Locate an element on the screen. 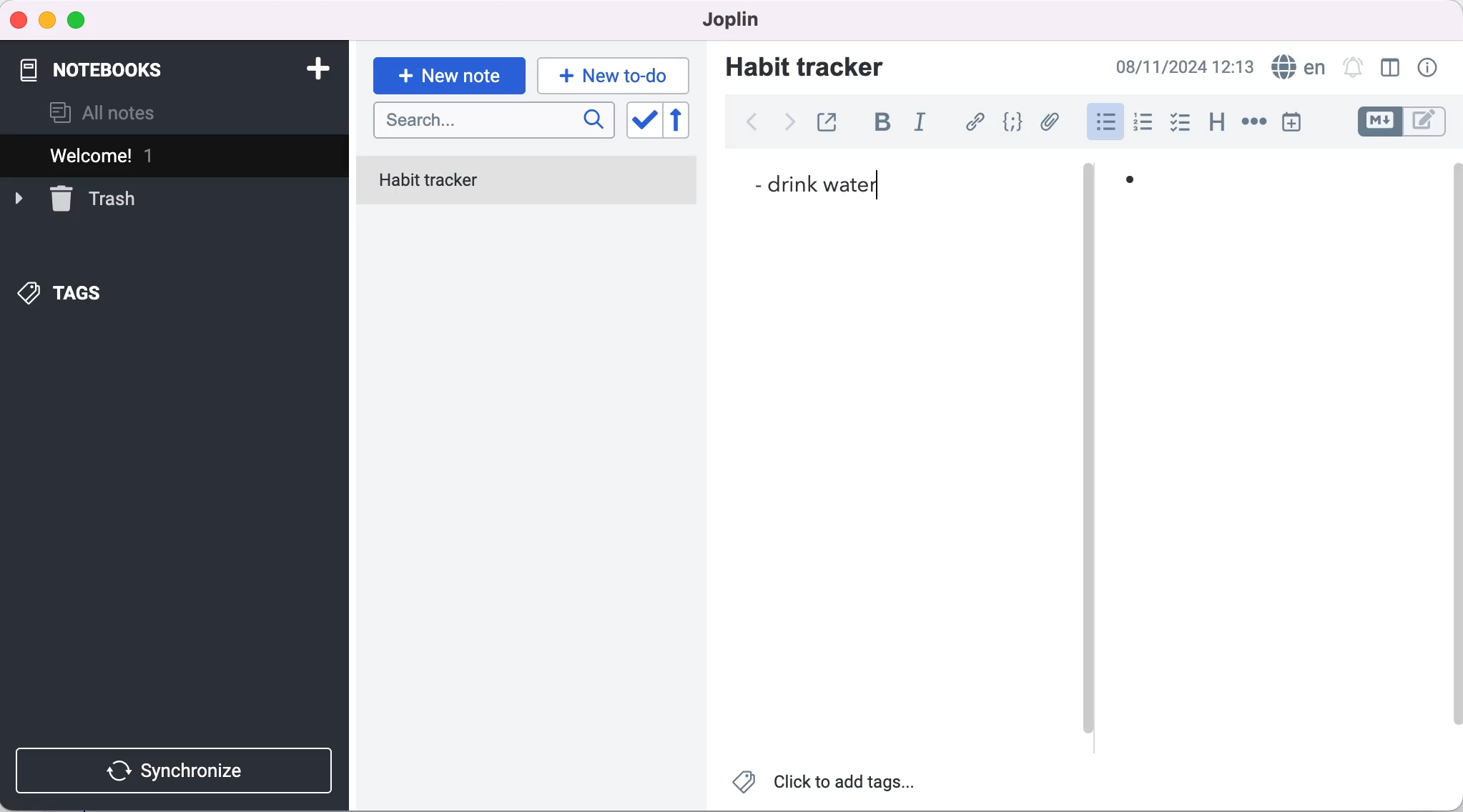  note properties is located at coordinates (1429, 68).